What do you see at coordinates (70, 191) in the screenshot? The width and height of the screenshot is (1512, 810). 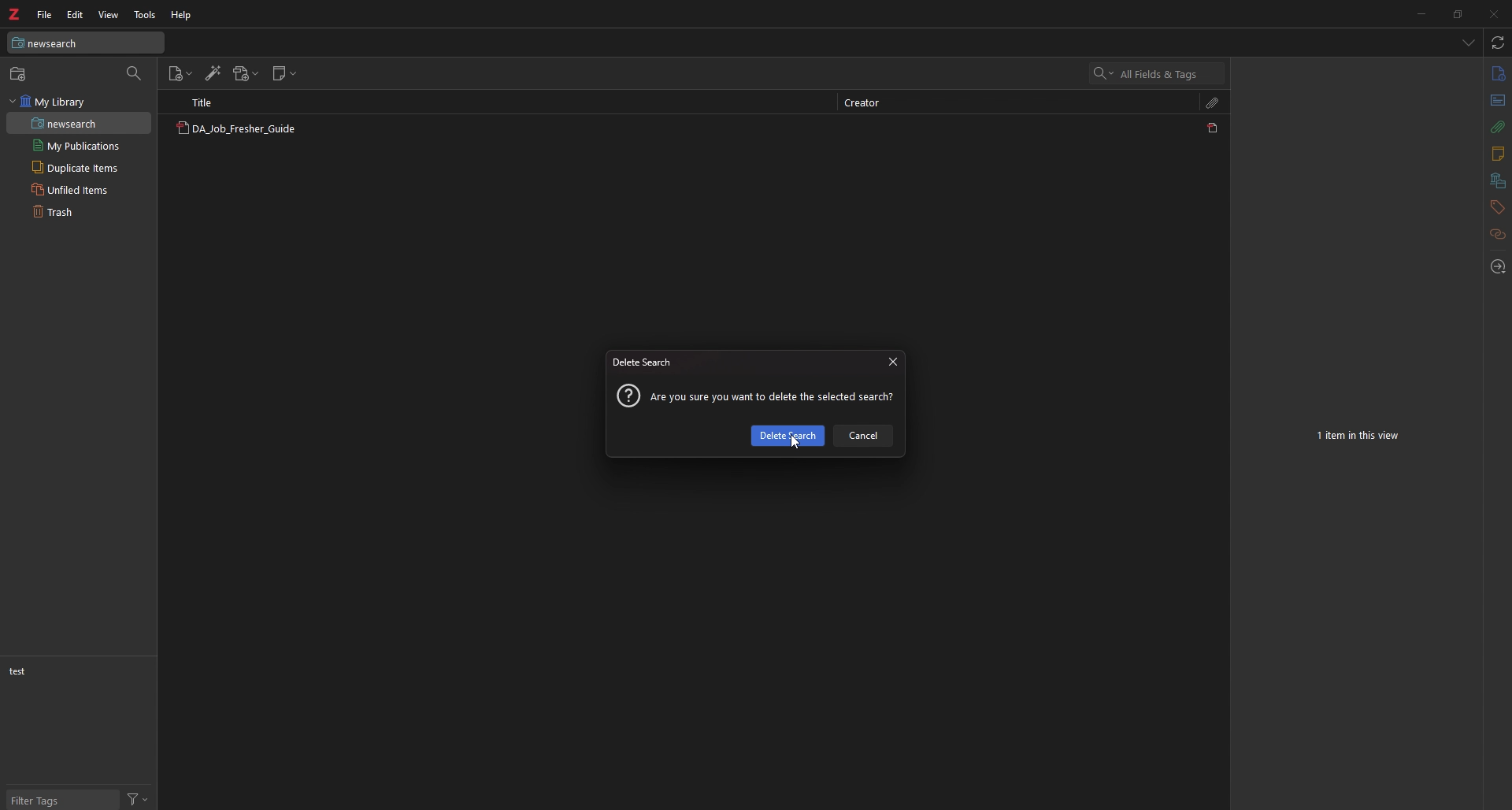 I see `Unfiled items` at bounding box center [70, 191].